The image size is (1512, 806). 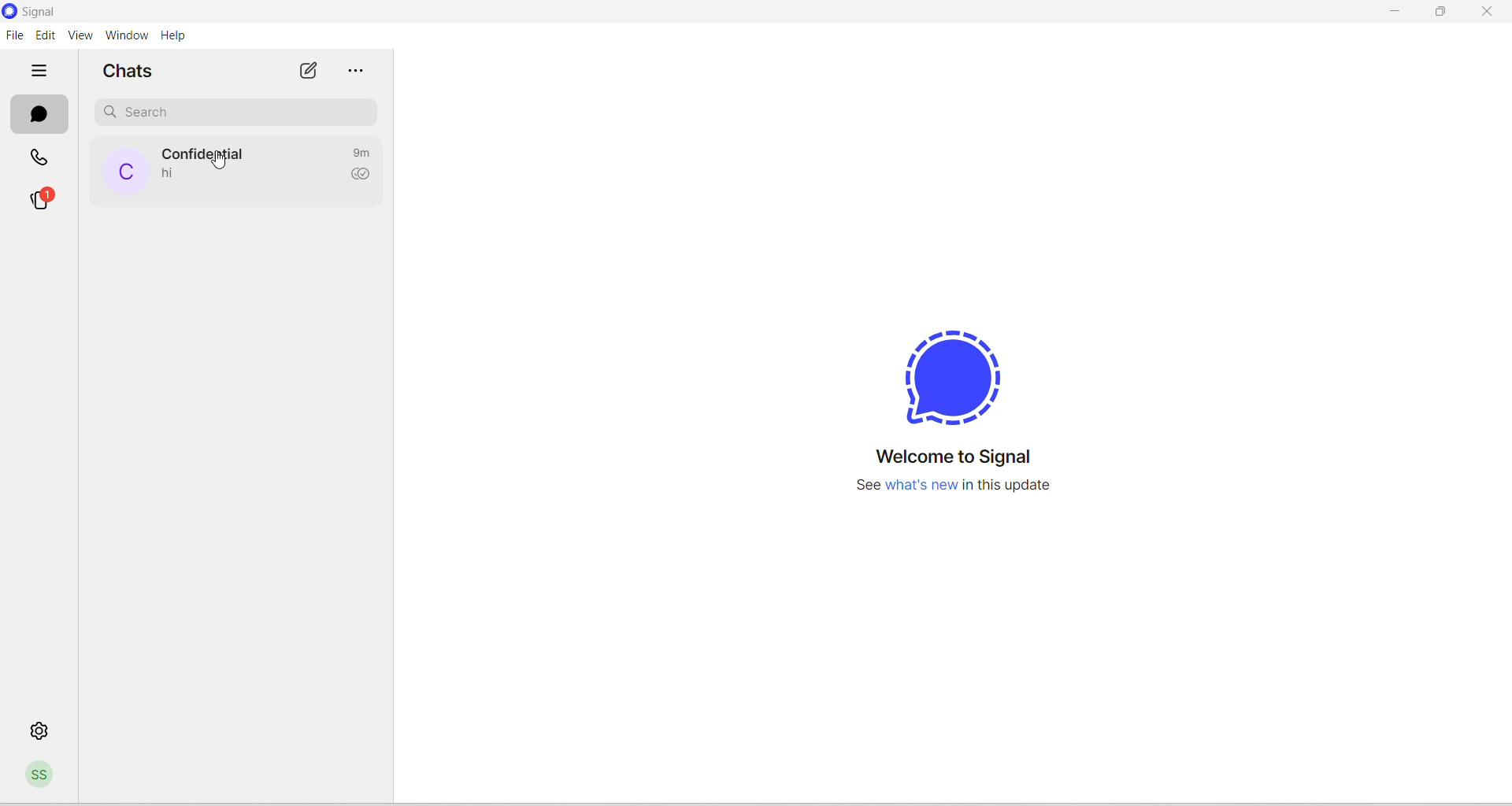 I want to click on help, so click(x=173, y=35).